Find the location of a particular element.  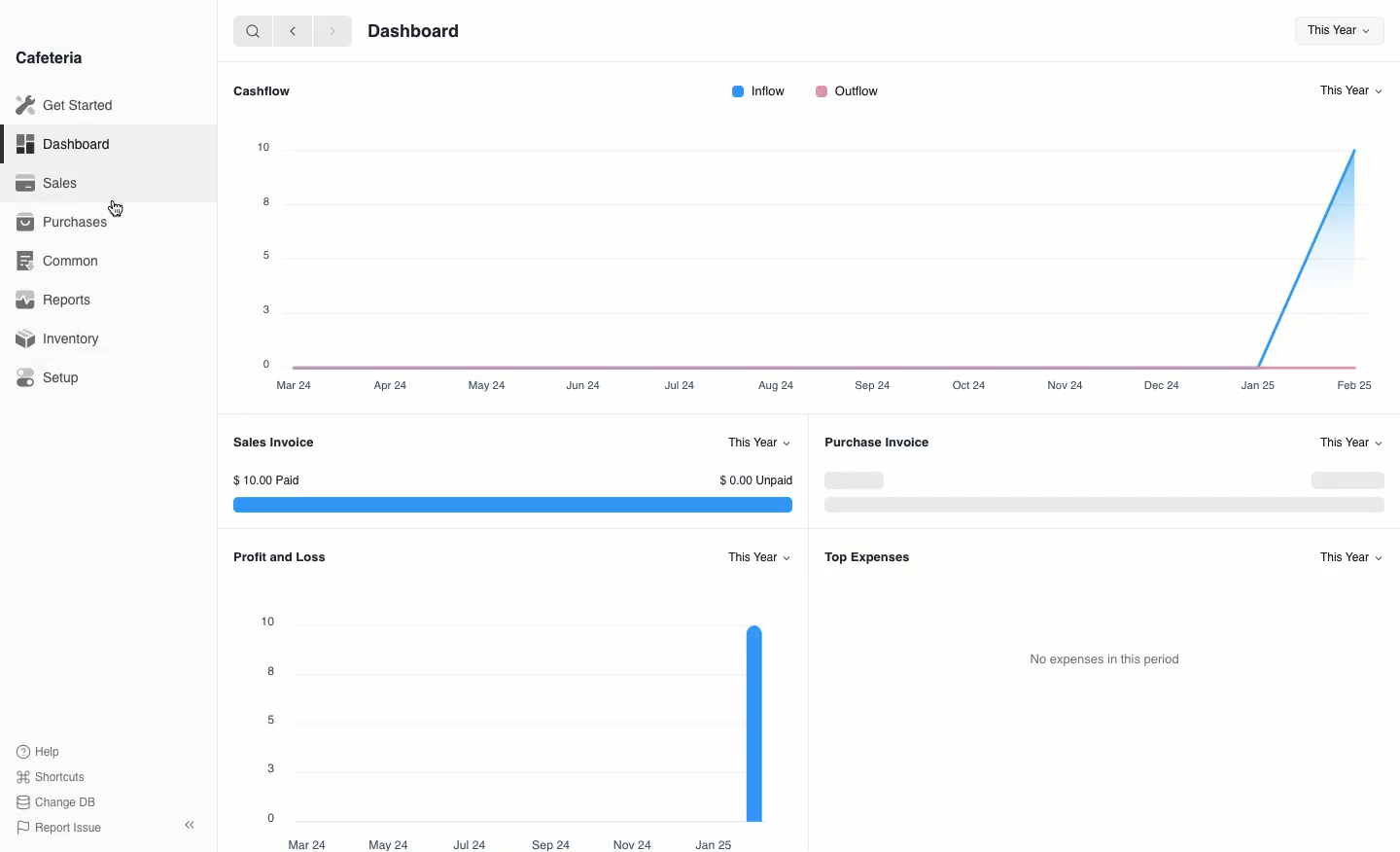

Inventory is located at coordinates (62, 337).